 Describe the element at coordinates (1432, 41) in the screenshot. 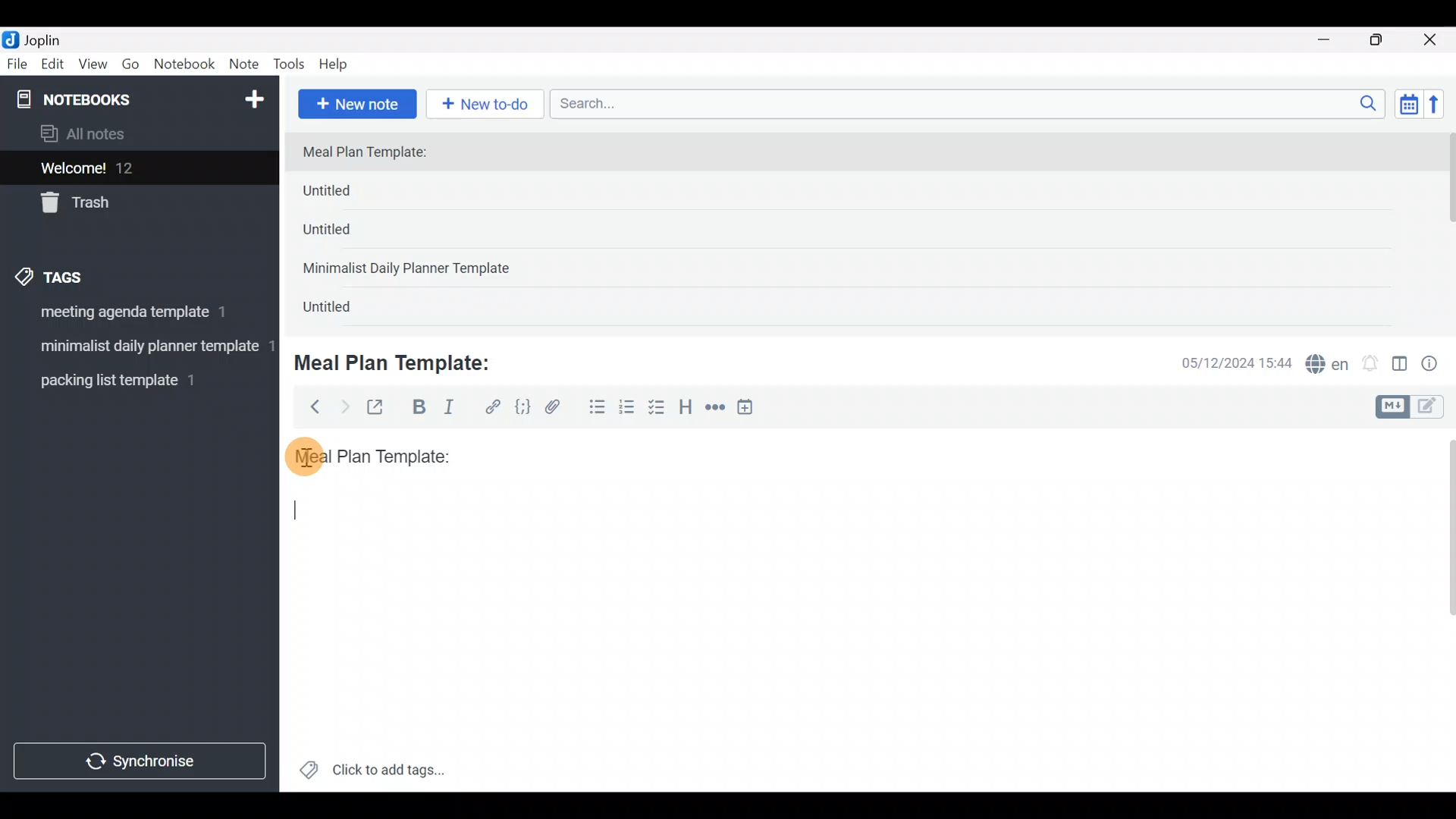

I see `Close` at that location.